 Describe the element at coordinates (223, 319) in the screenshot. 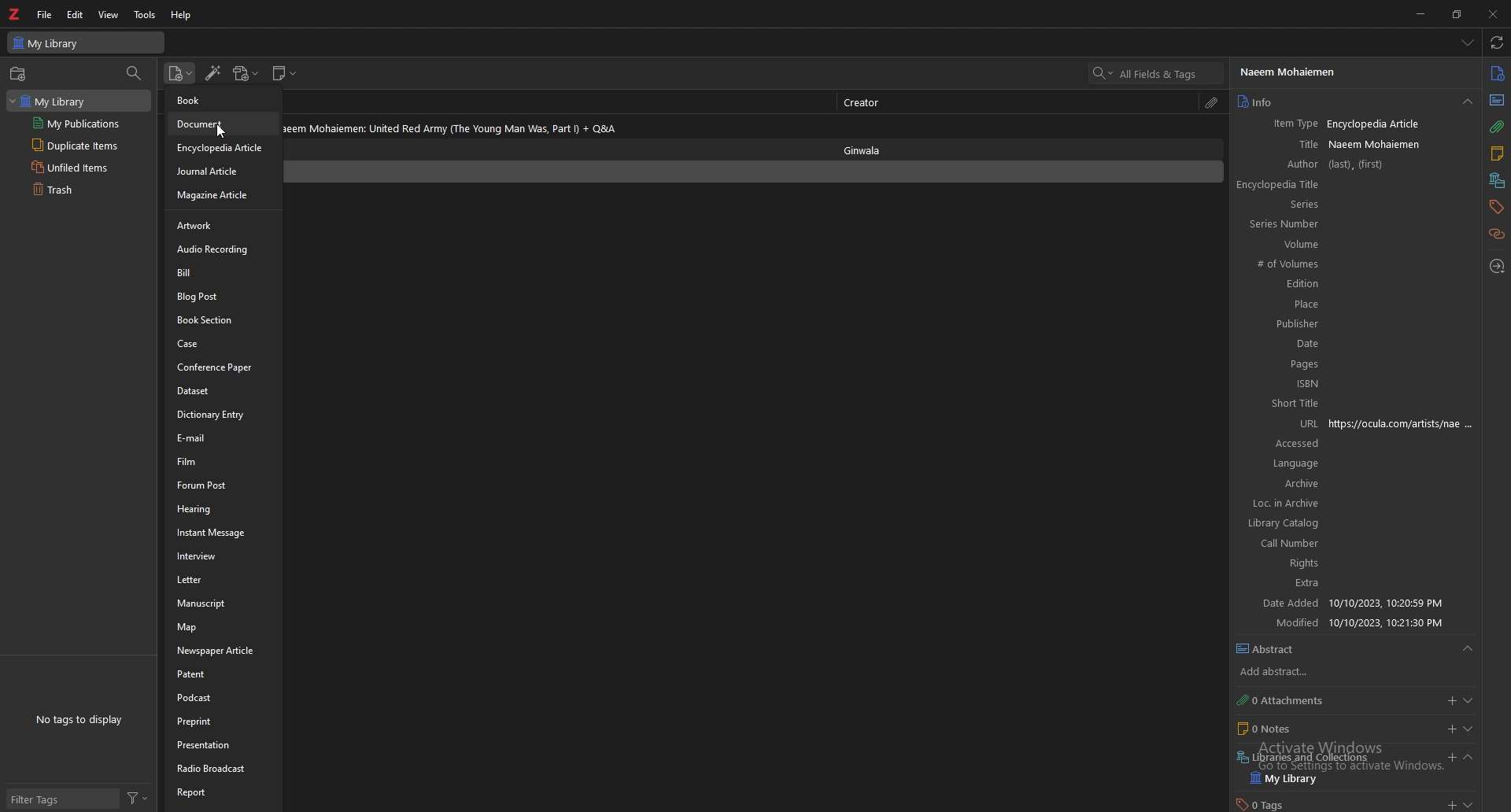

I see `book section` at that location.